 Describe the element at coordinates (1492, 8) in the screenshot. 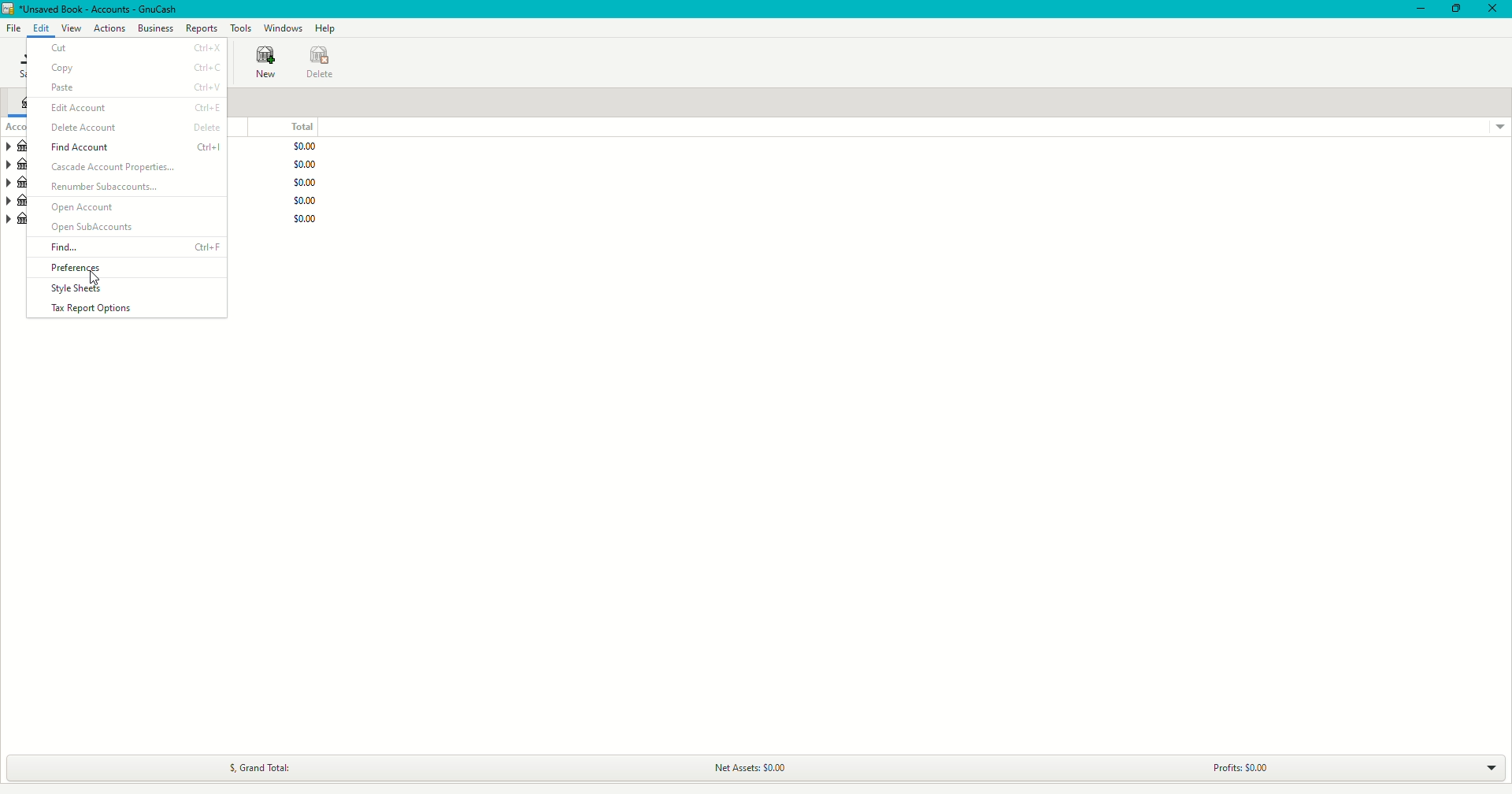

I see `Close` at that location.